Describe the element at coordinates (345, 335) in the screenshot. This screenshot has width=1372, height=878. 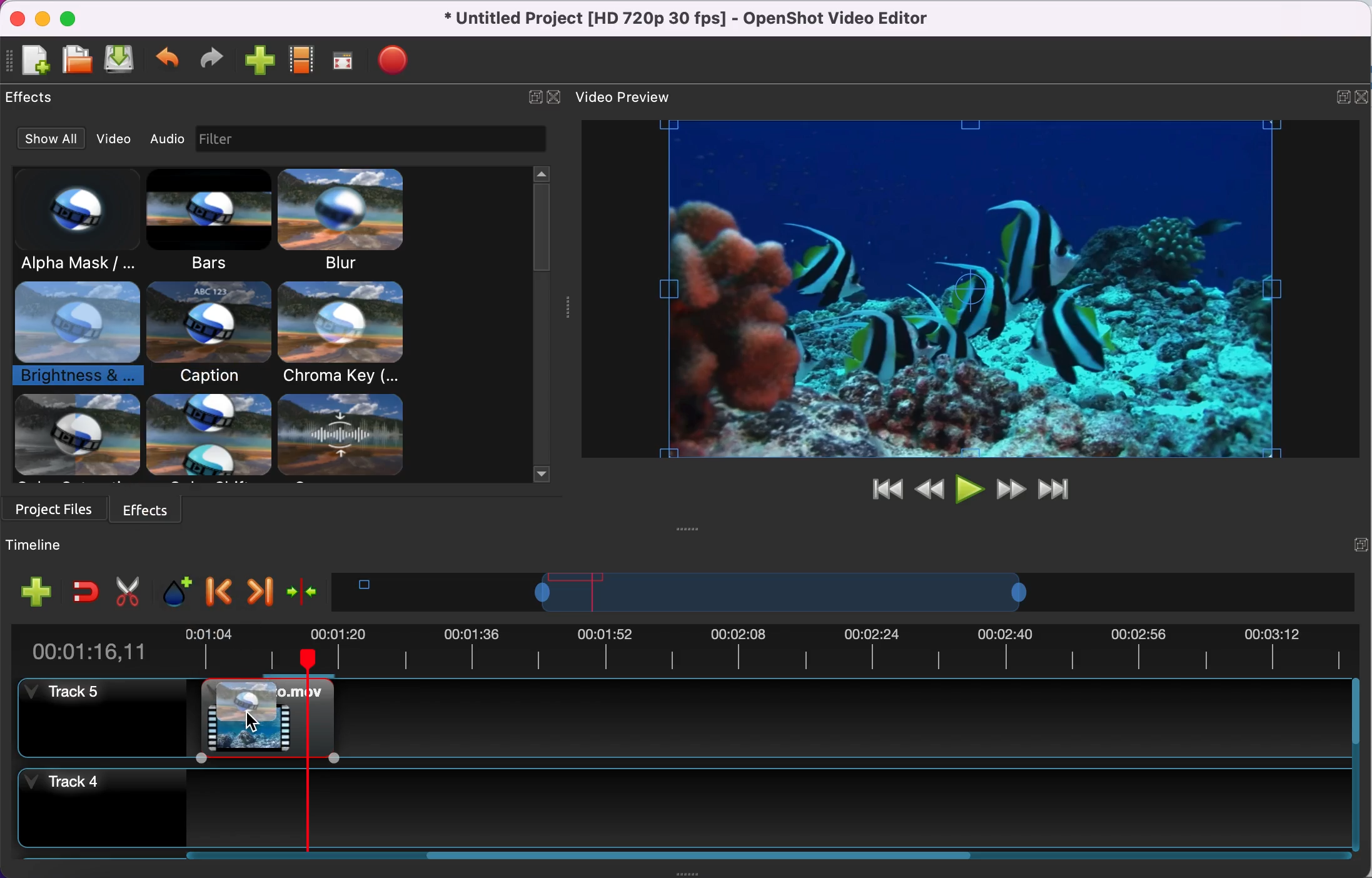
I see `chroma key` at that location.